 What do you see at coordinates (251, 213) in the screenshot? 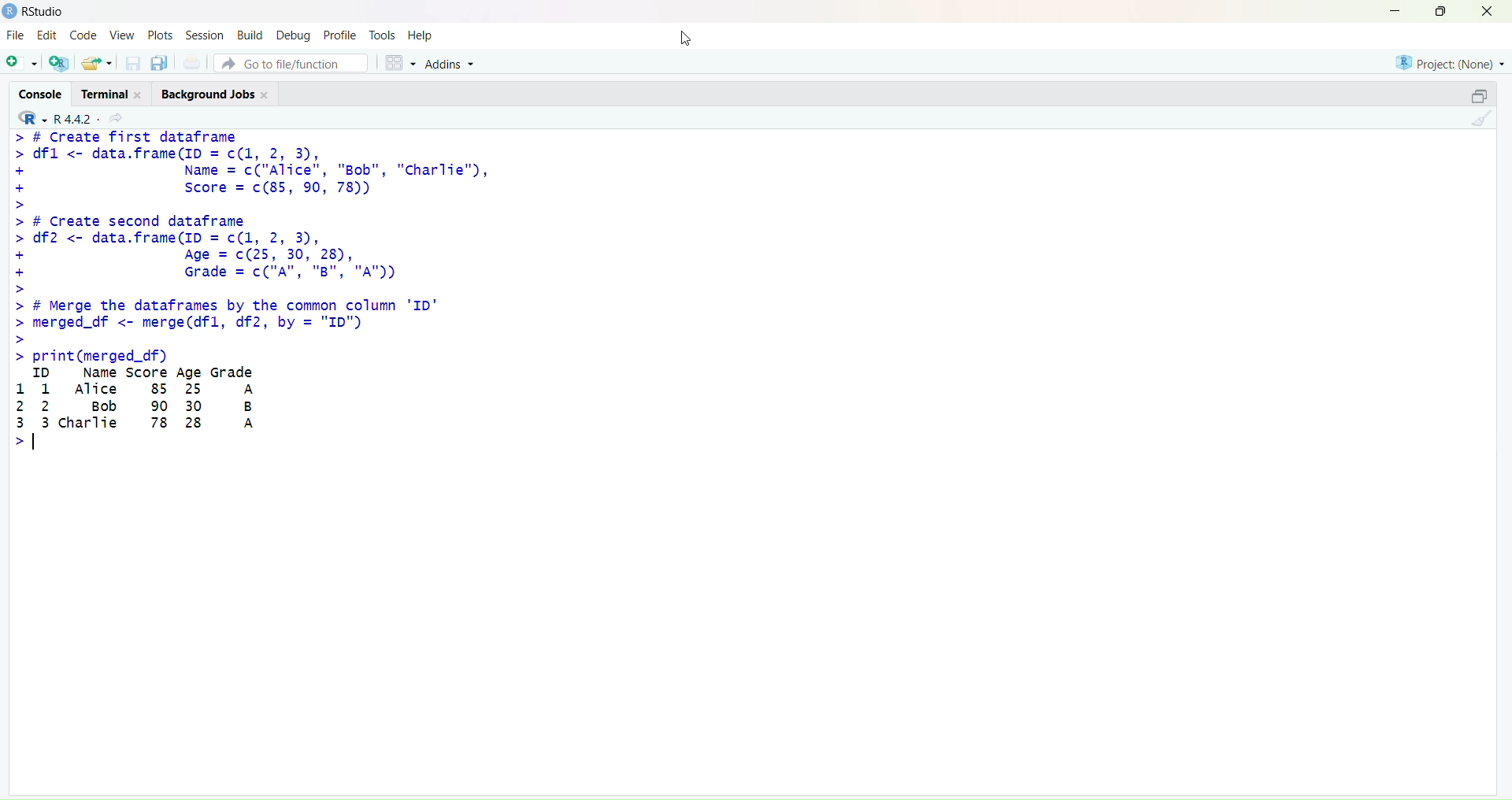
I see `# Create Tirst dataframe
dfl <- data.frame(ID = c(1, 2, 3),
Name = c("Alice", "Bob", "Char
Score = c(85, 90, 78))
# Create second dataframe
df2 <- data.frame(ID = c(1, 2, 3),
Age = c(25, 30, 28),
Grade = c("A", "B", "A"))` at bounding box center [251, 213].